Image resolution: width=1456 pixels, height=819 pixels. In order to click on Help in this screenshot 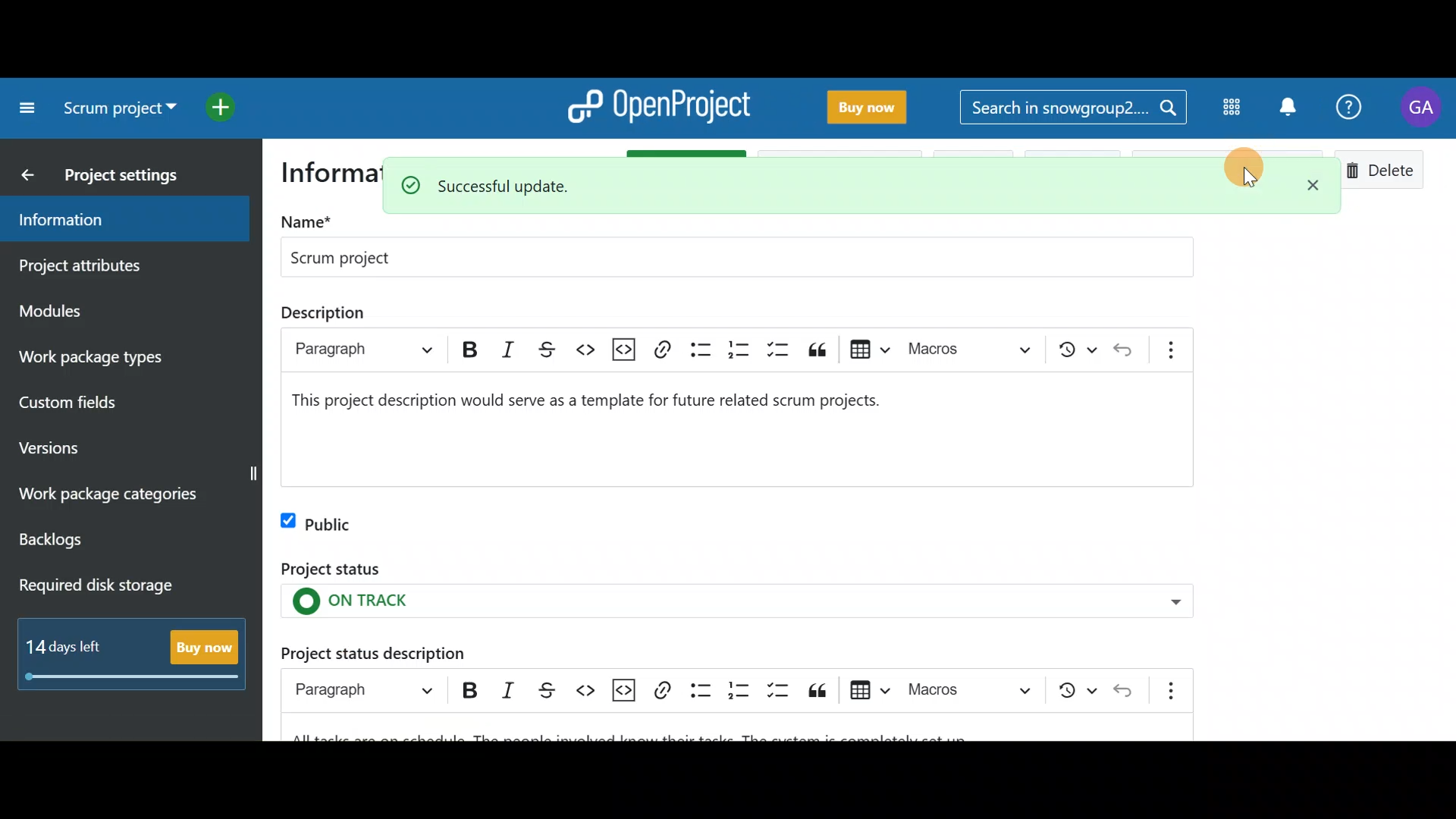, I will do `click(1351, 105)`.